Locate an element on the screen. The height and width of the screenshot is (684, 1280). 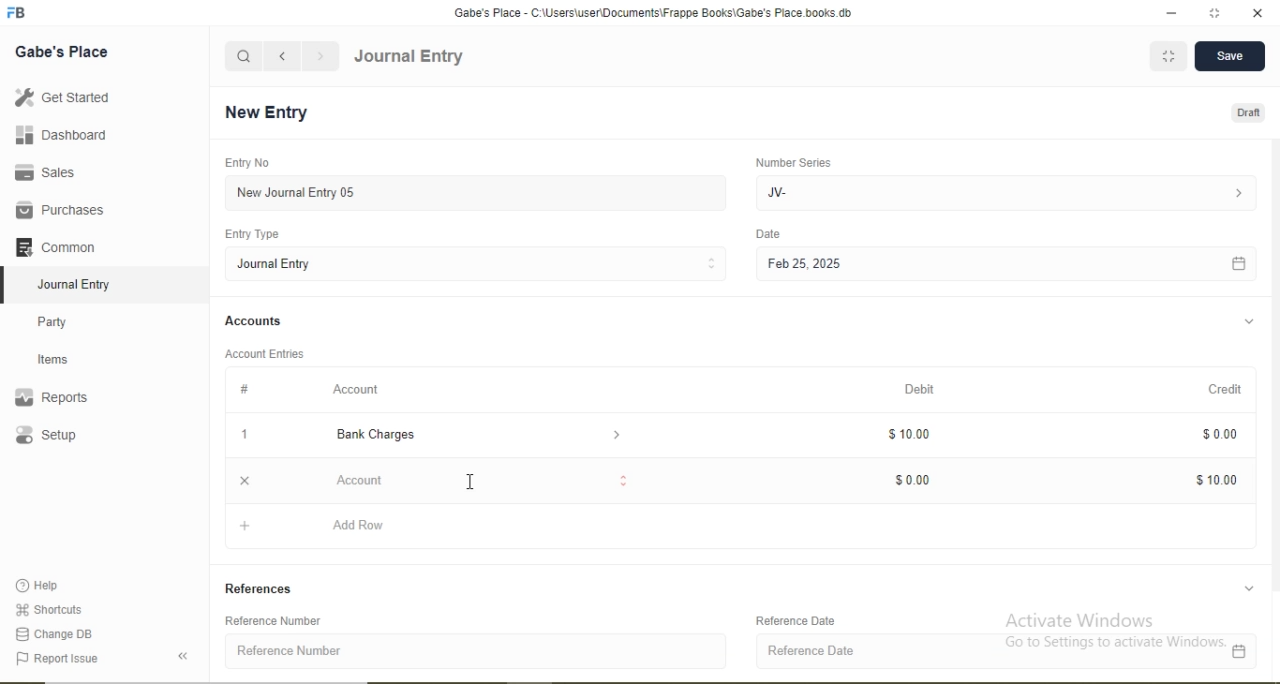
Journal Entry is located at coordinates (478, 263).